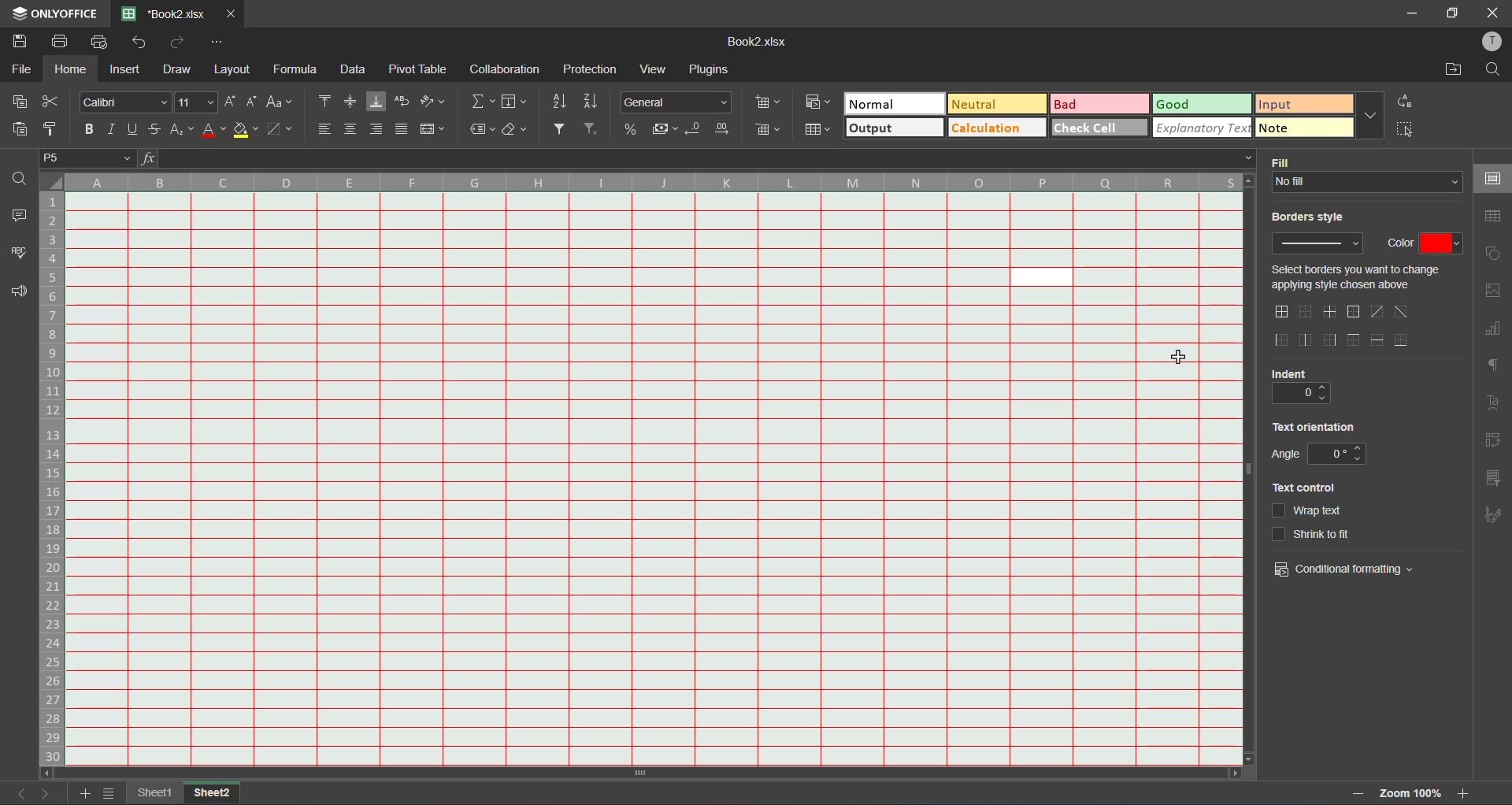 This screenshot has height=805, width=1512. I want to click on text orientation, so click(1316, 427).